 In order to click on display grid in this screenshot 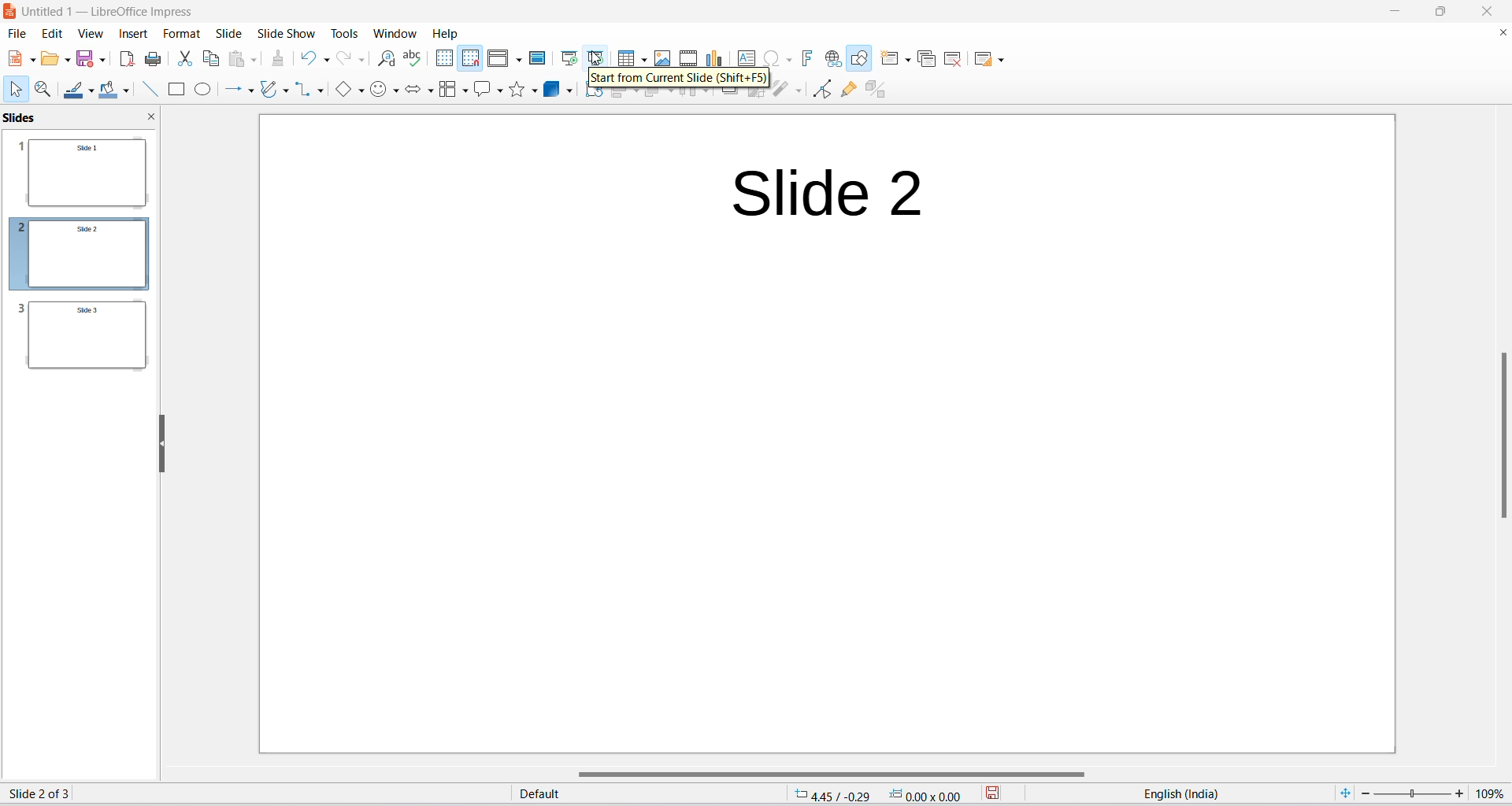, I will do `click(443, 59)`.